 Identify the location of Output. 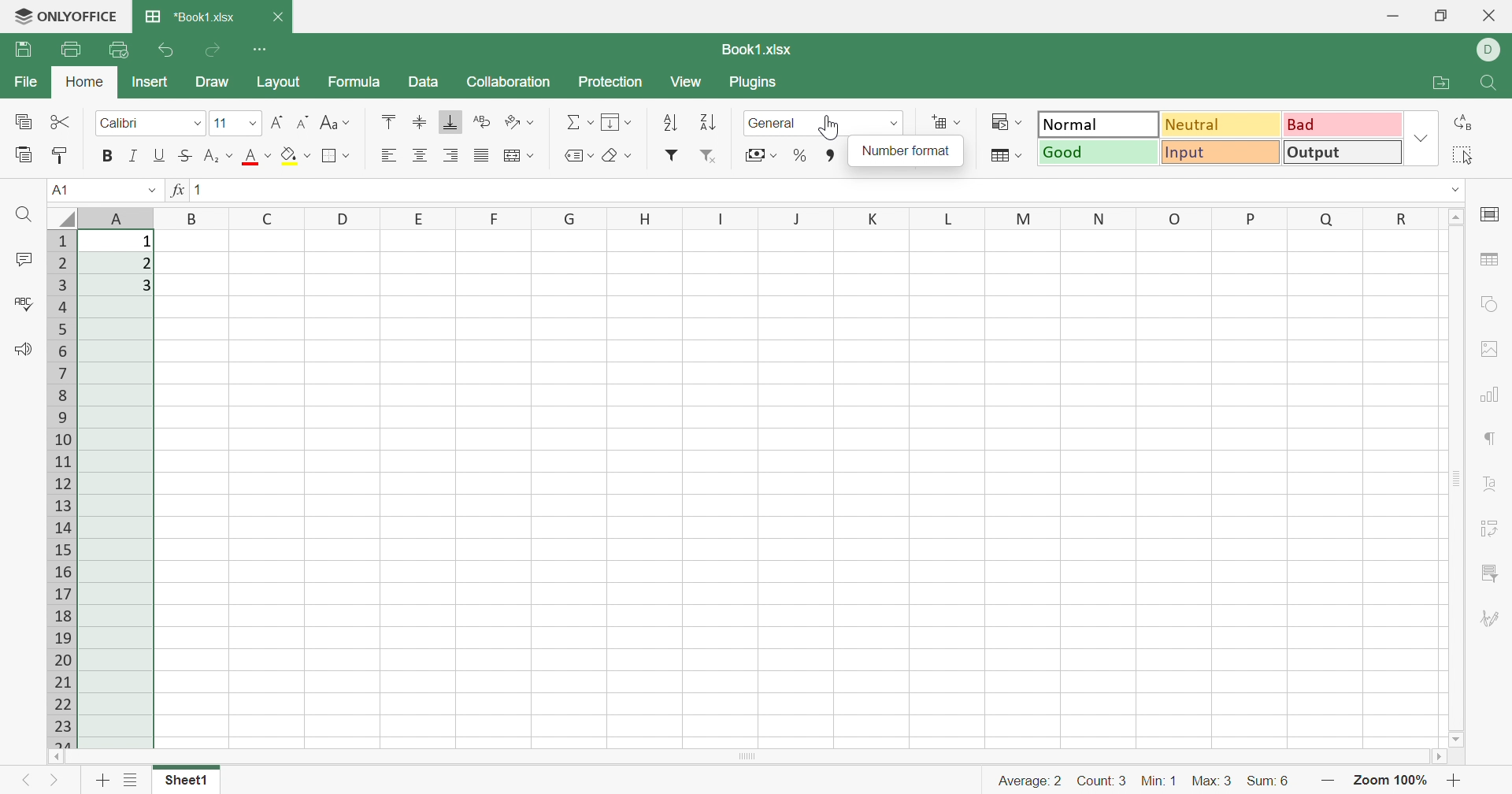
(1343, 151).